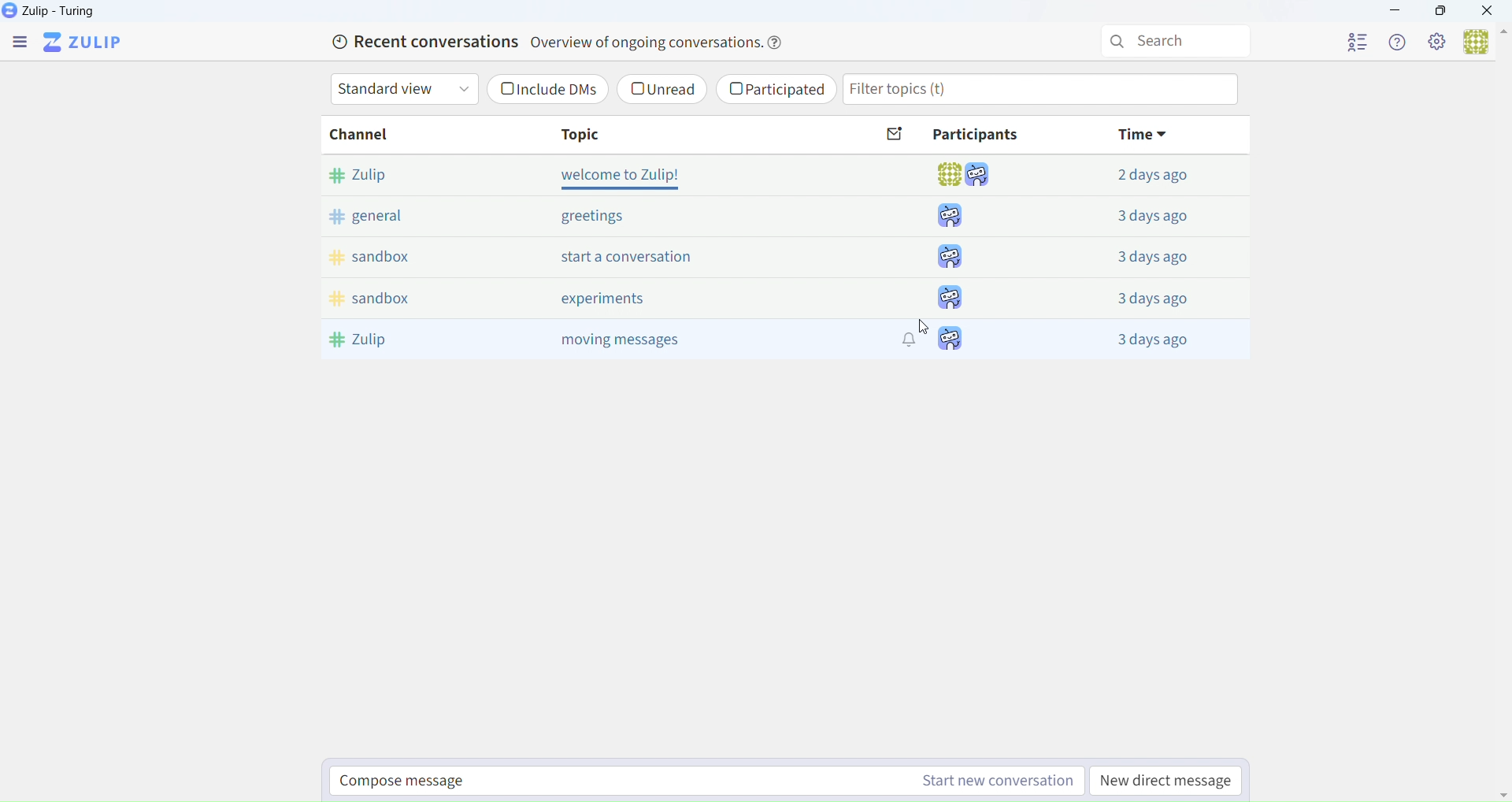  What do you see at coordinates (921, 330) in the screenshot?
I see `cursor` at bounding box center [921, 330].